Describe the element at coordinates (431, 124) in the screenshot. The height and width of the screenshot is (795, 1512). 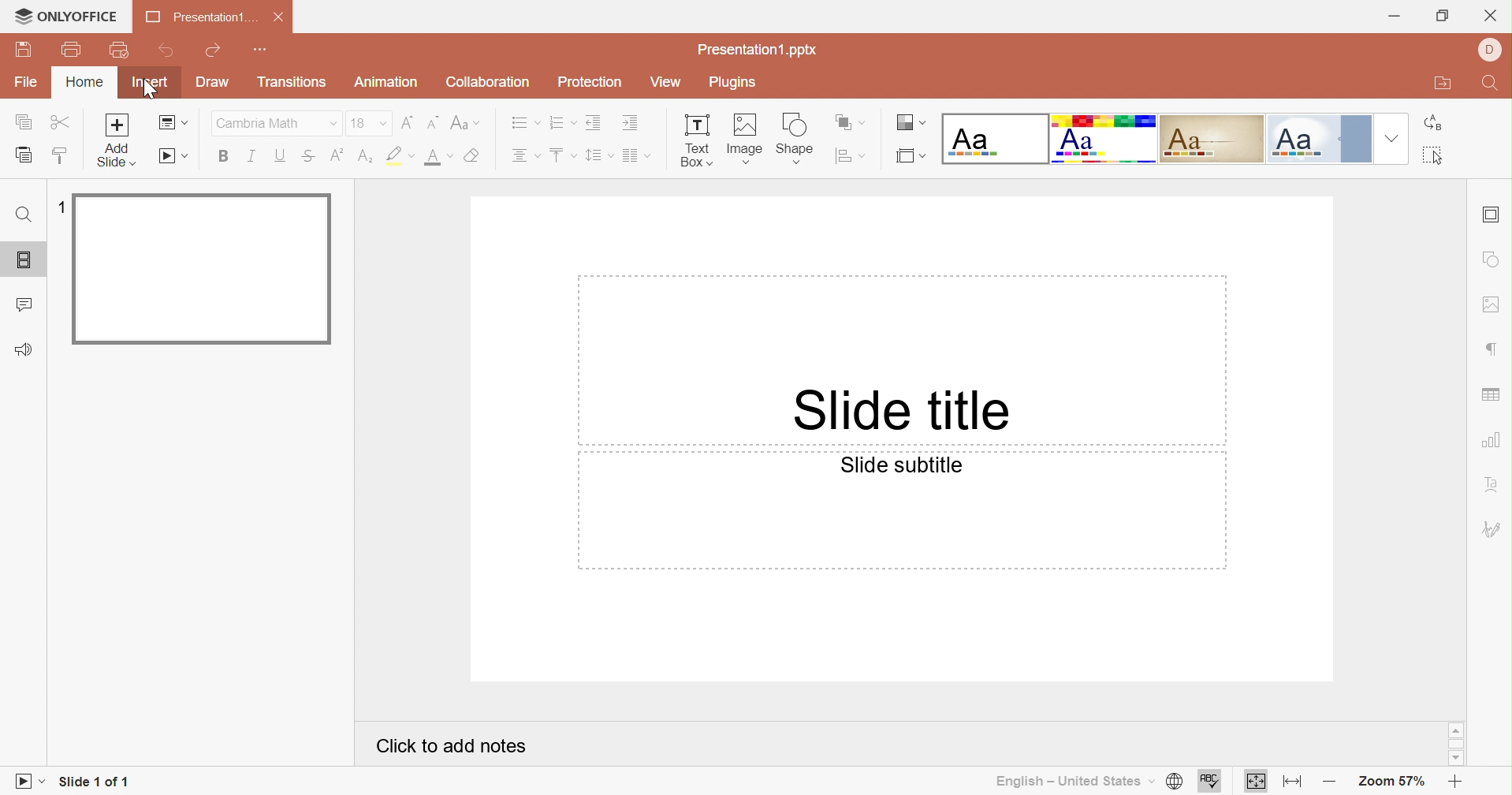
I see `Decrement font size` at that location.